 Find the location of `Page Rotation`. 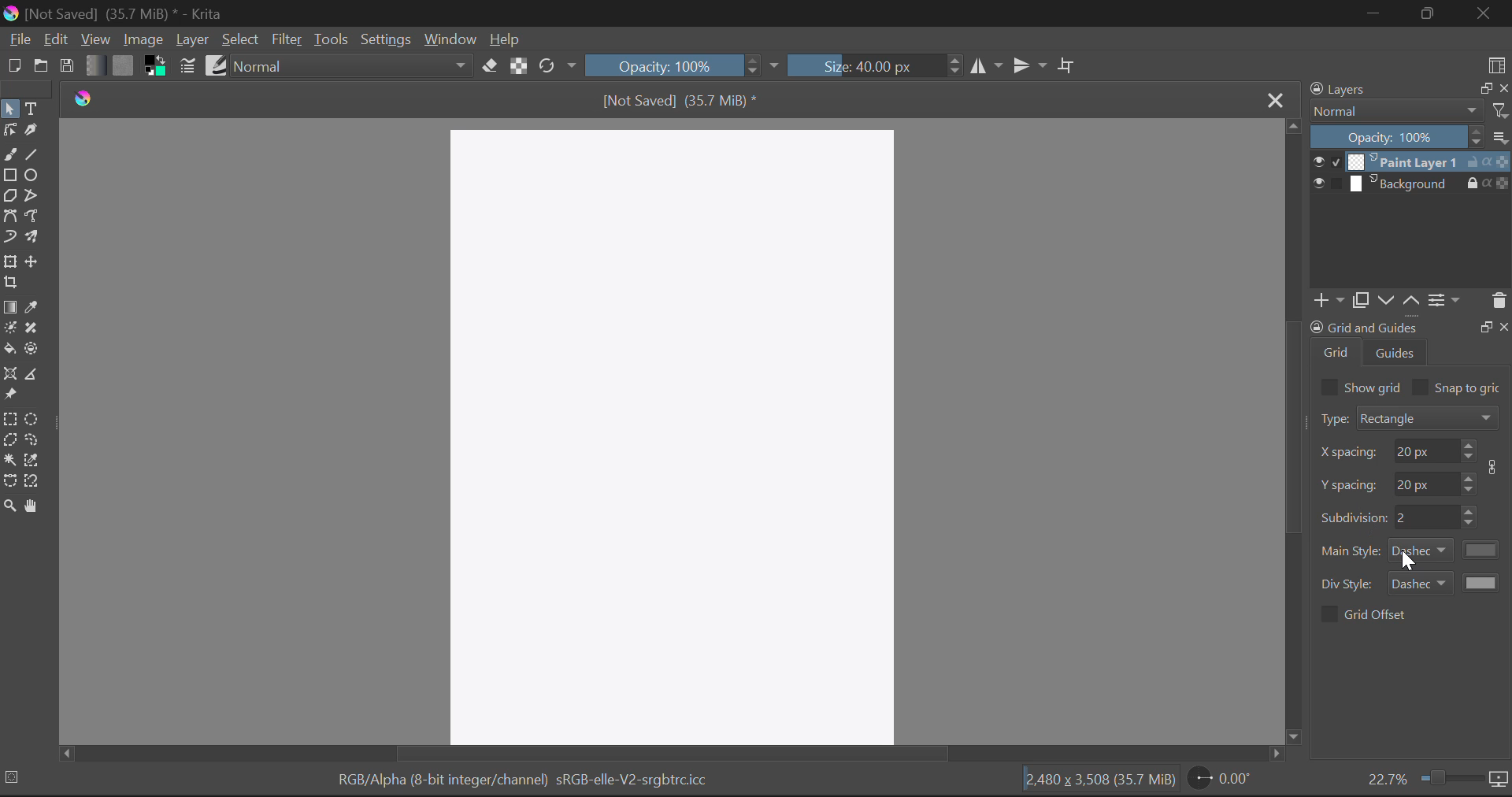

Page Rotation is located at coordinates (1223, 779).